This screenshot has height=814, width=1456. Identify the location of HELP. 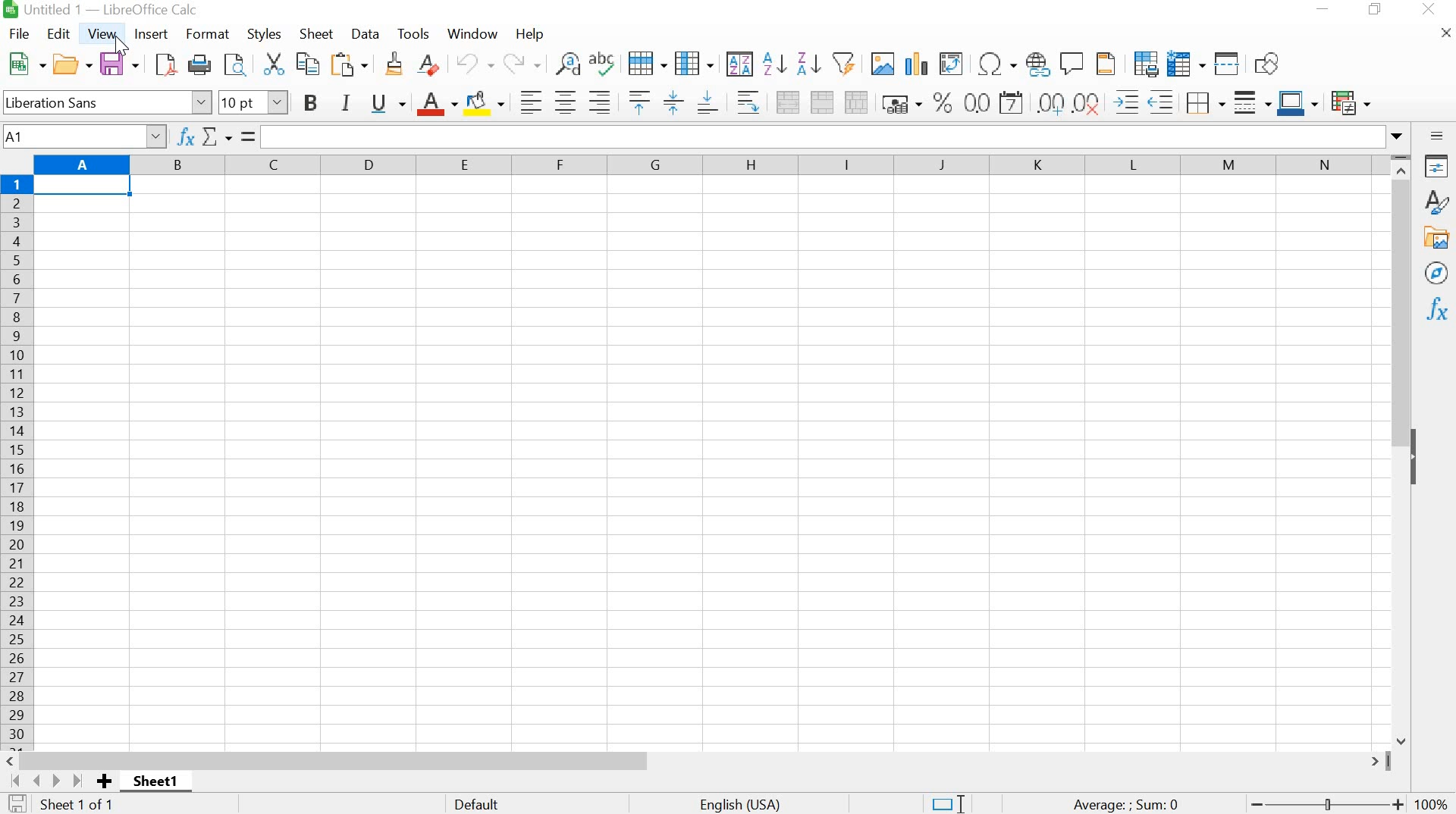
(529, 36).